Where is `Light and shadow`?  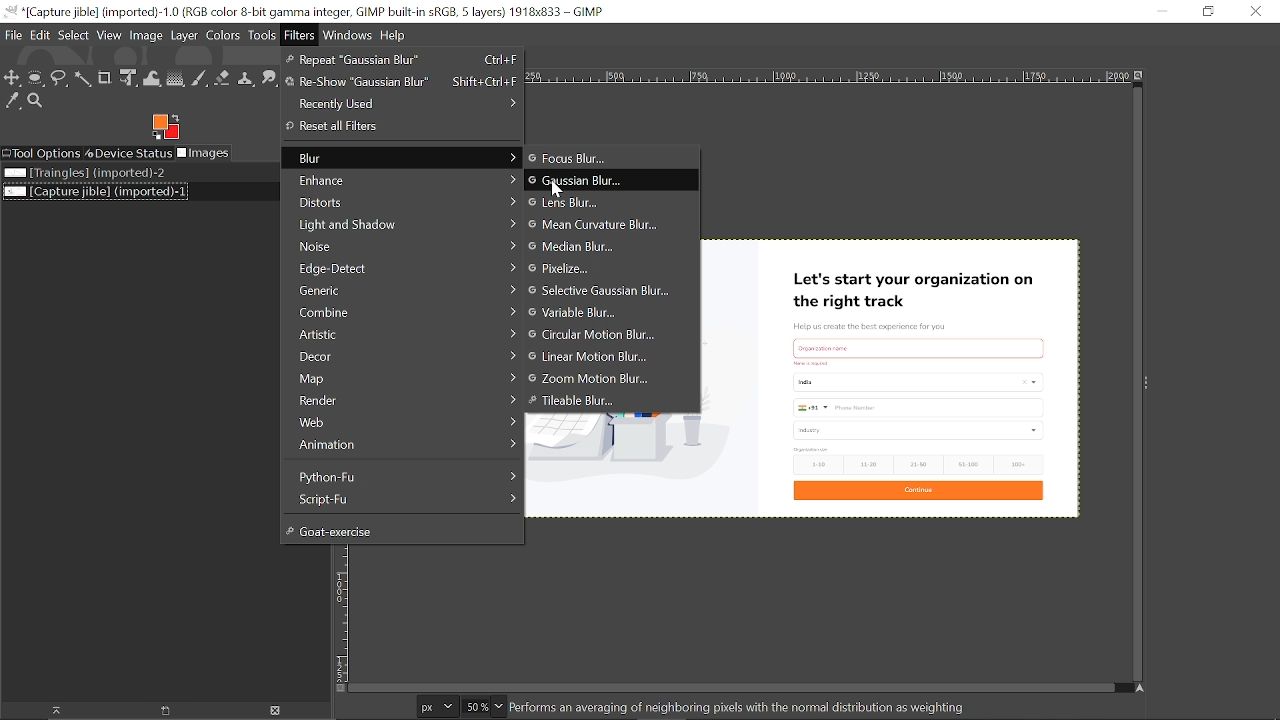 Light and shadow is located at coordinates (404, 223).